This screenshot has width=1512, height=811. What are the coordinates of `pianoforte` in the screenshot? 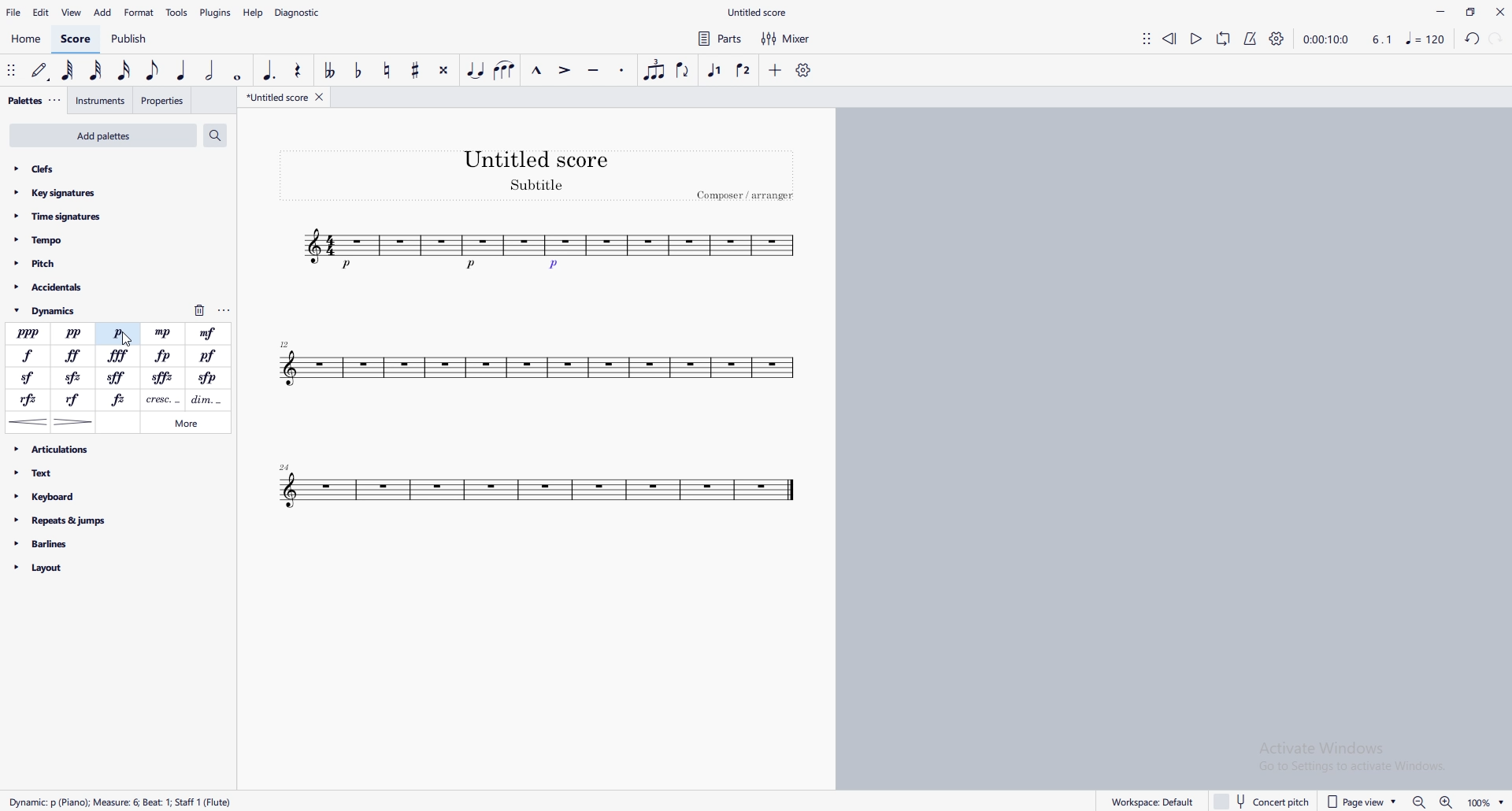 It's located at (209, 354).